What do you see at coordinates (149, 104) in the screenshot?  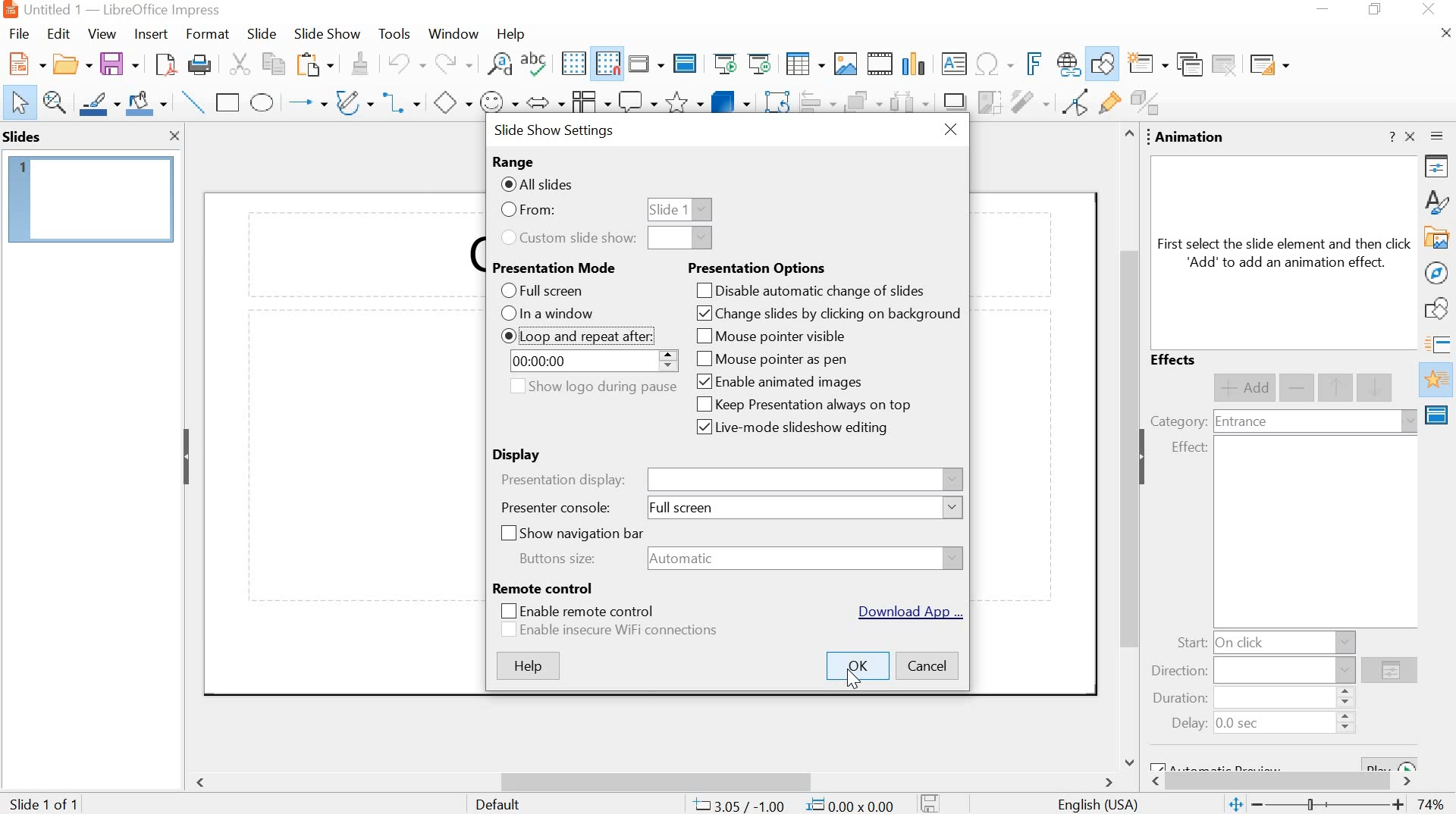 I see `fill color` at bounding box center [149, 104].